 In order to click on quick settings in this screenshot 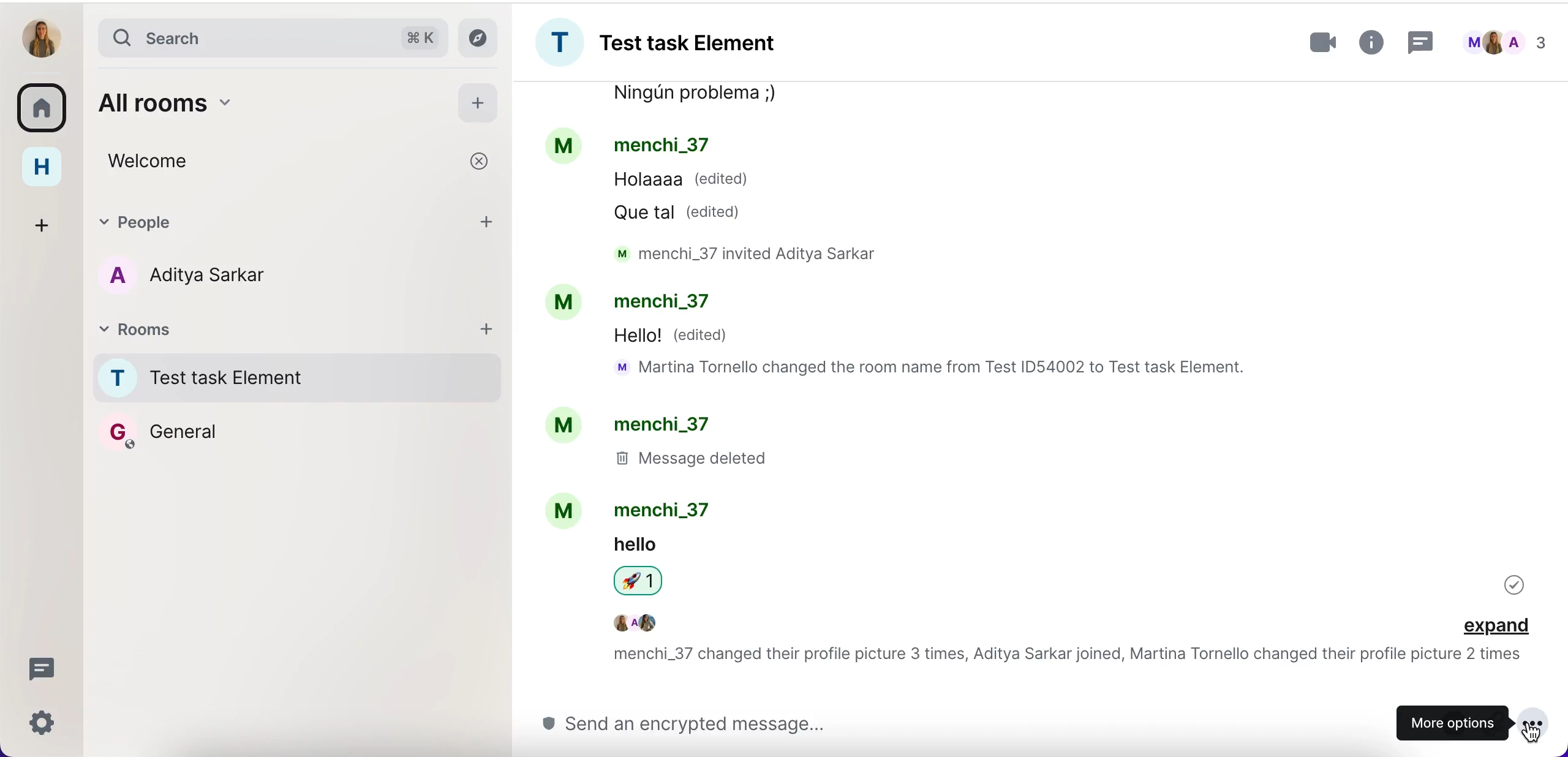, I will do `click(43, 723)`.